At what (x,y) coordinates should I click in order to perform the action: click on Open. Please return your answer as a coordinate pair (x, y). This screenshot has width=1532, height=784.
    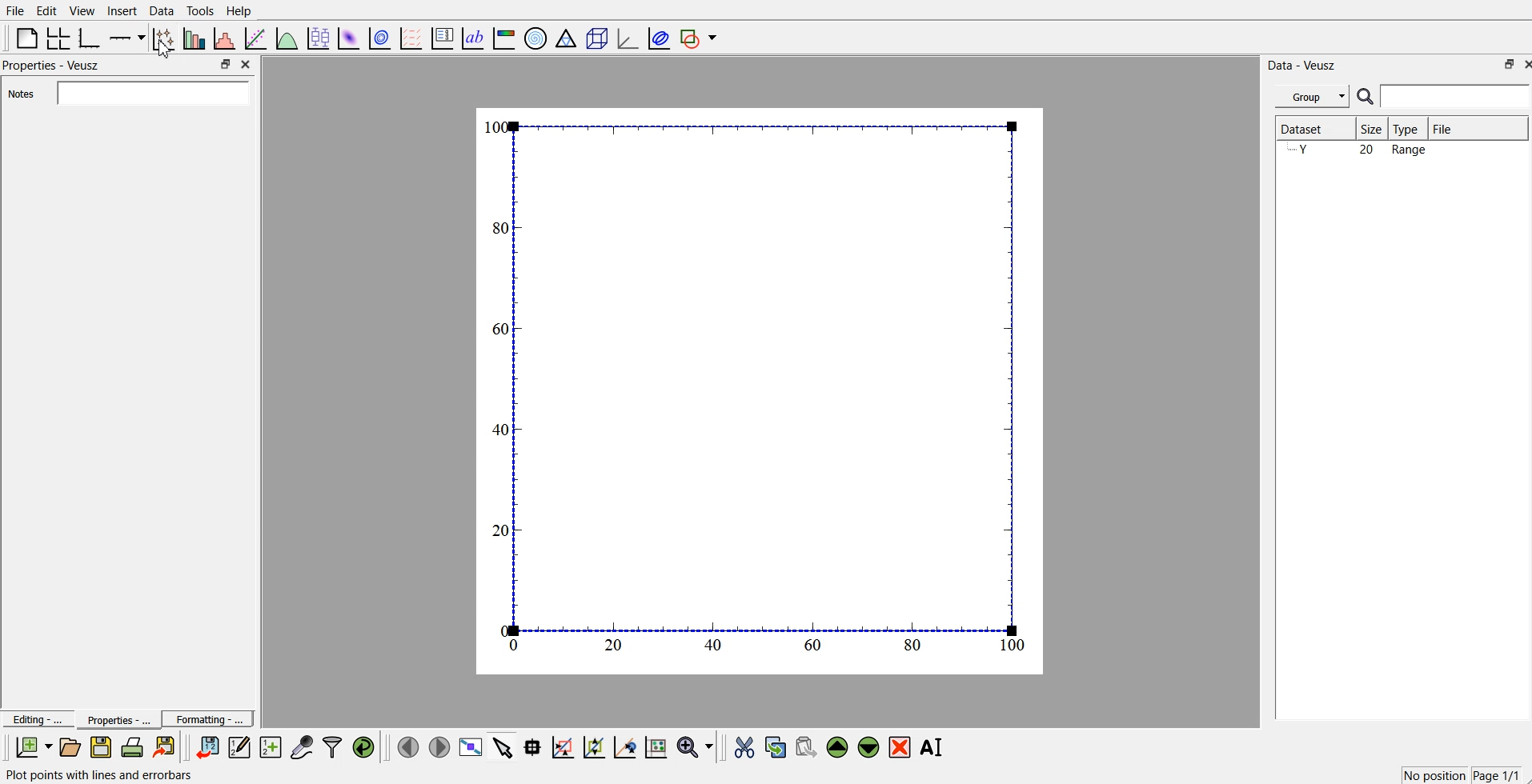
    Looking at the image, I should click on (70, 746).